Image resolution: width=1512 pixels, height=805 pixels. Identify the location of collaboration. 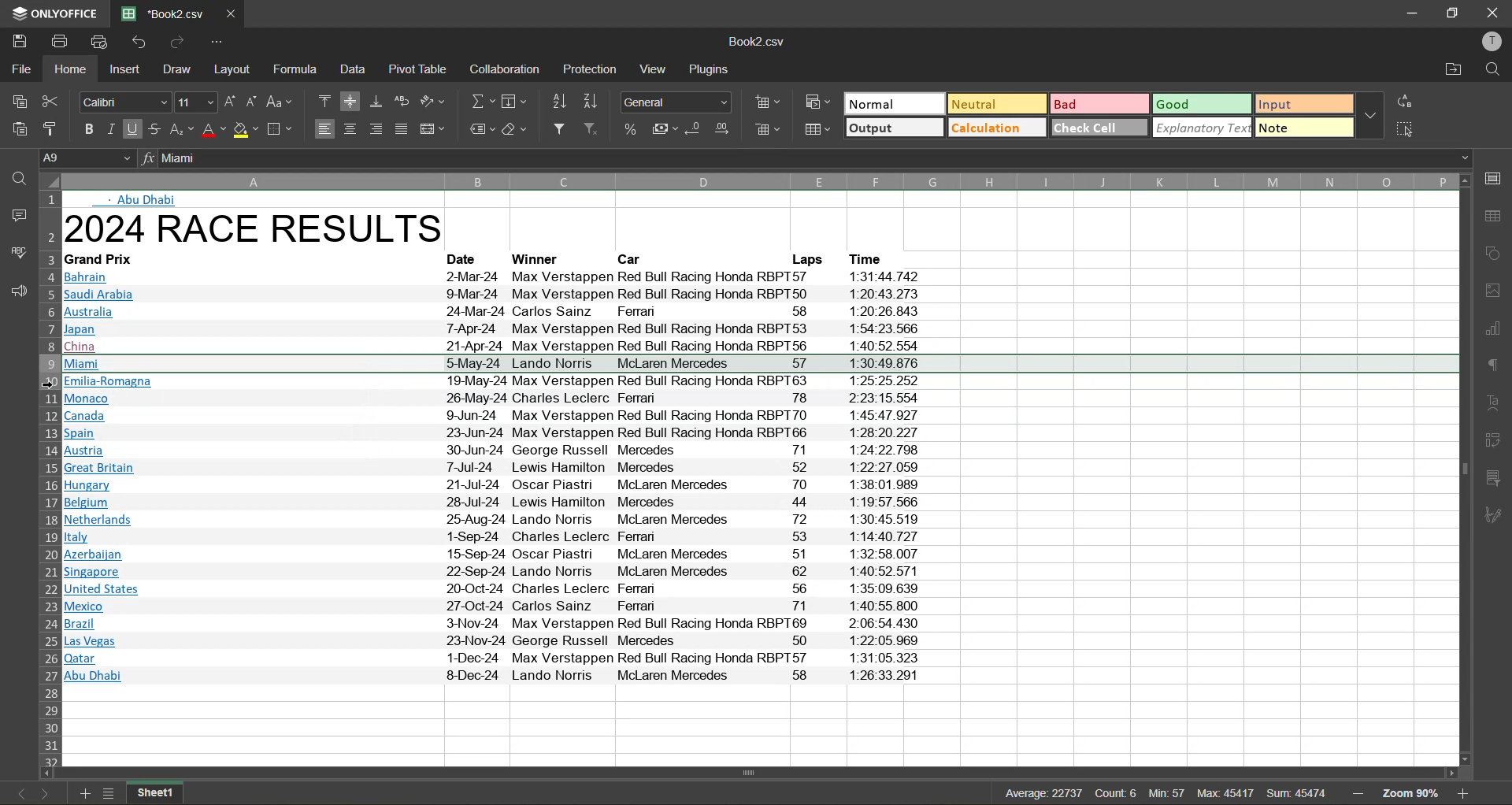
(506, 69).